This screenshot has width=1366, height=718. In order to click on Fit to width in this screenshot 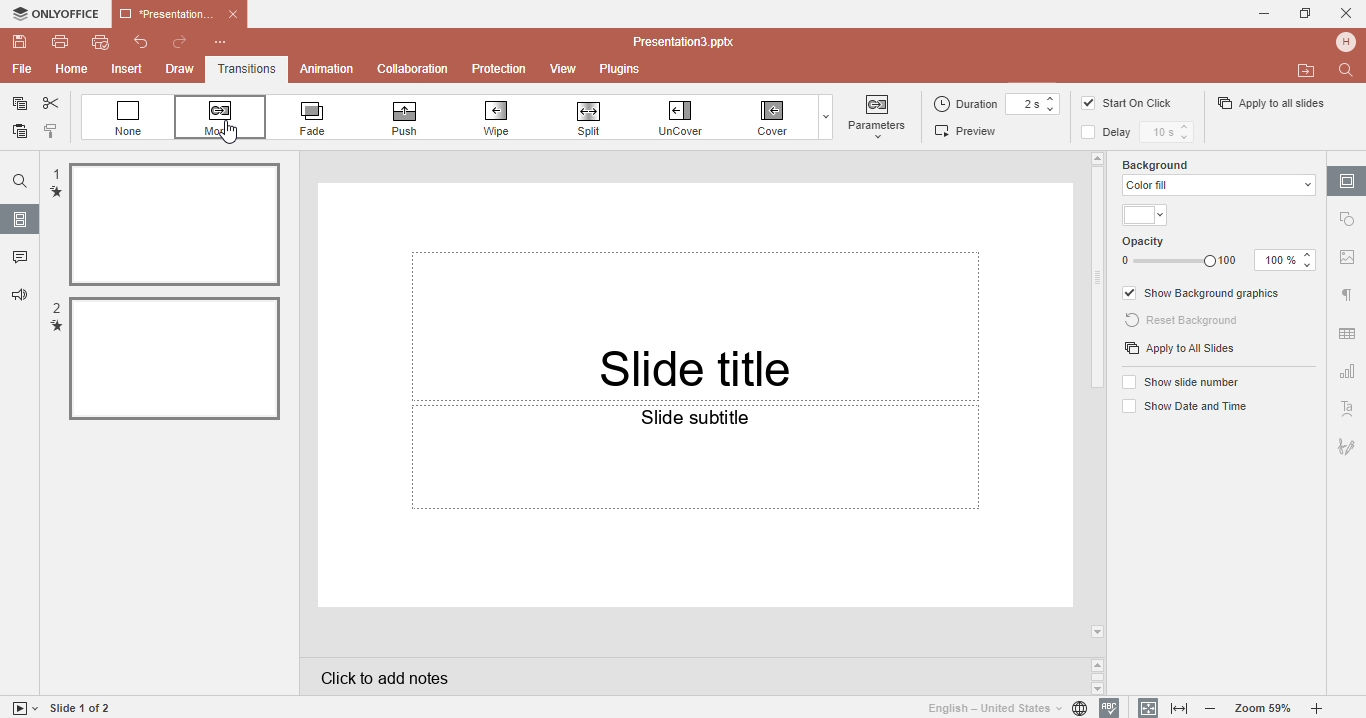, I will do `click(1181, 709)`.